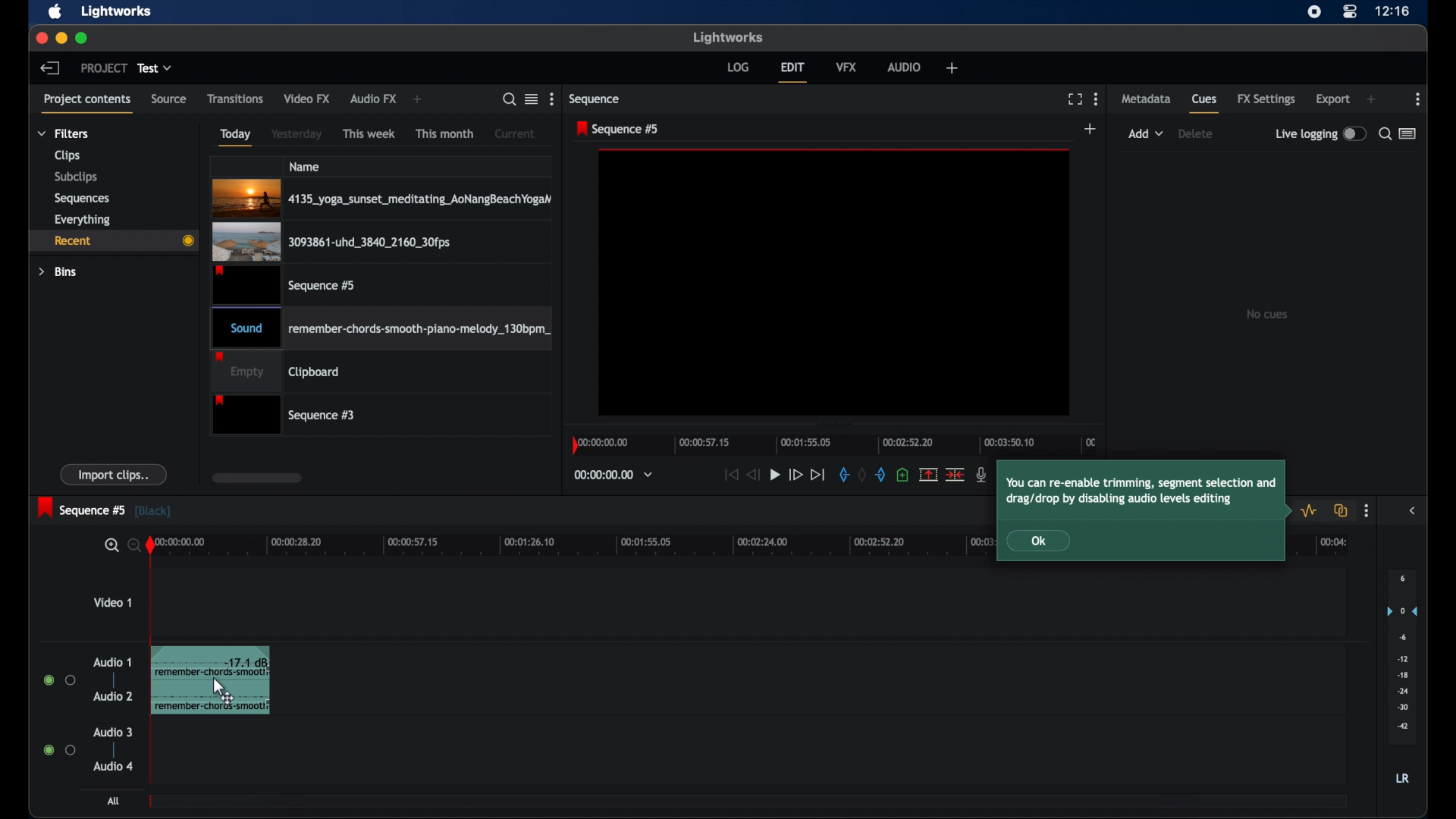  I want to click on toggle auto track sync, so click(1341, 510).